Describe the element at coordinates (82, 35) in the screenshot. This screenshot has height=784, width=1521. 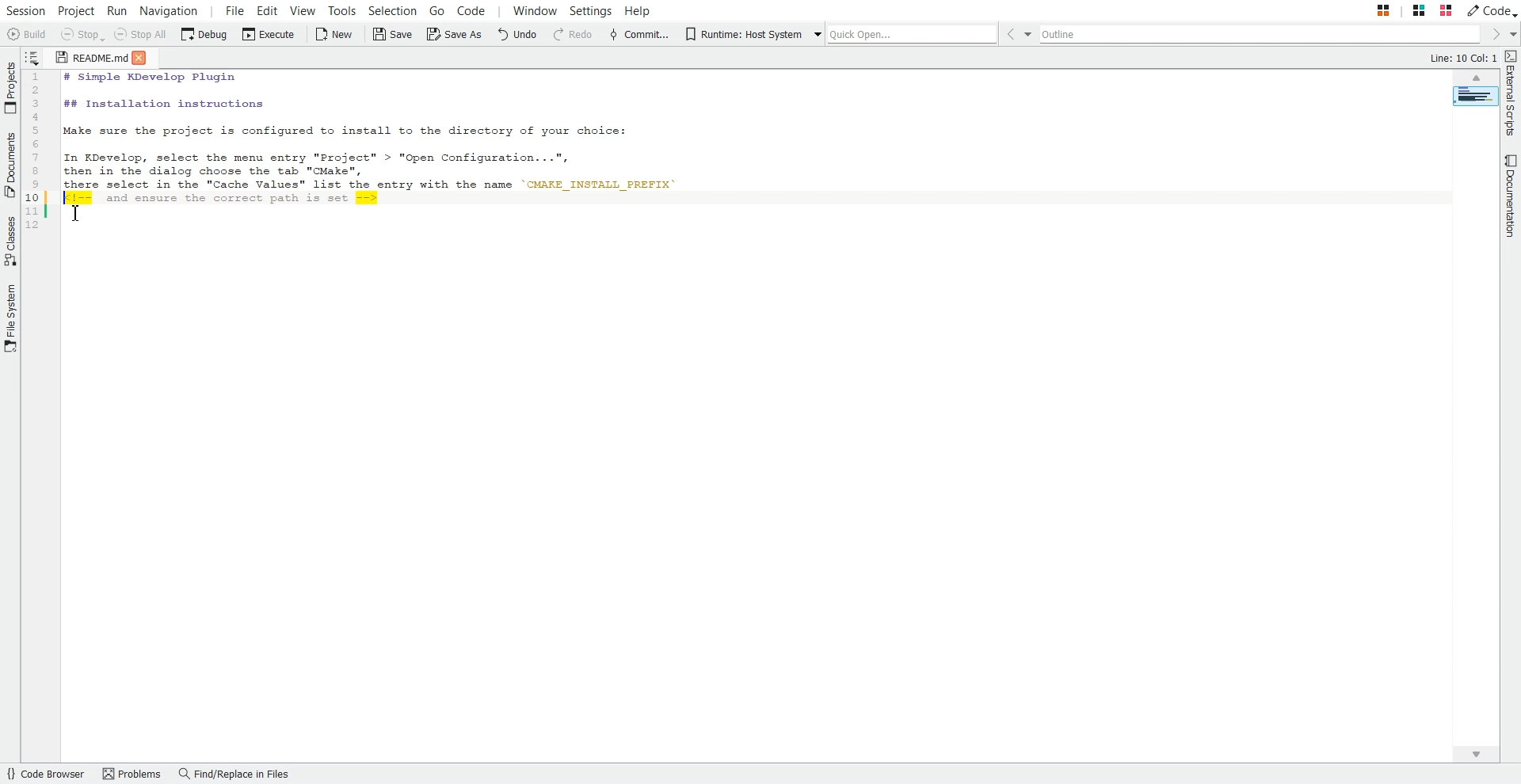
I see `Stop` at that location.